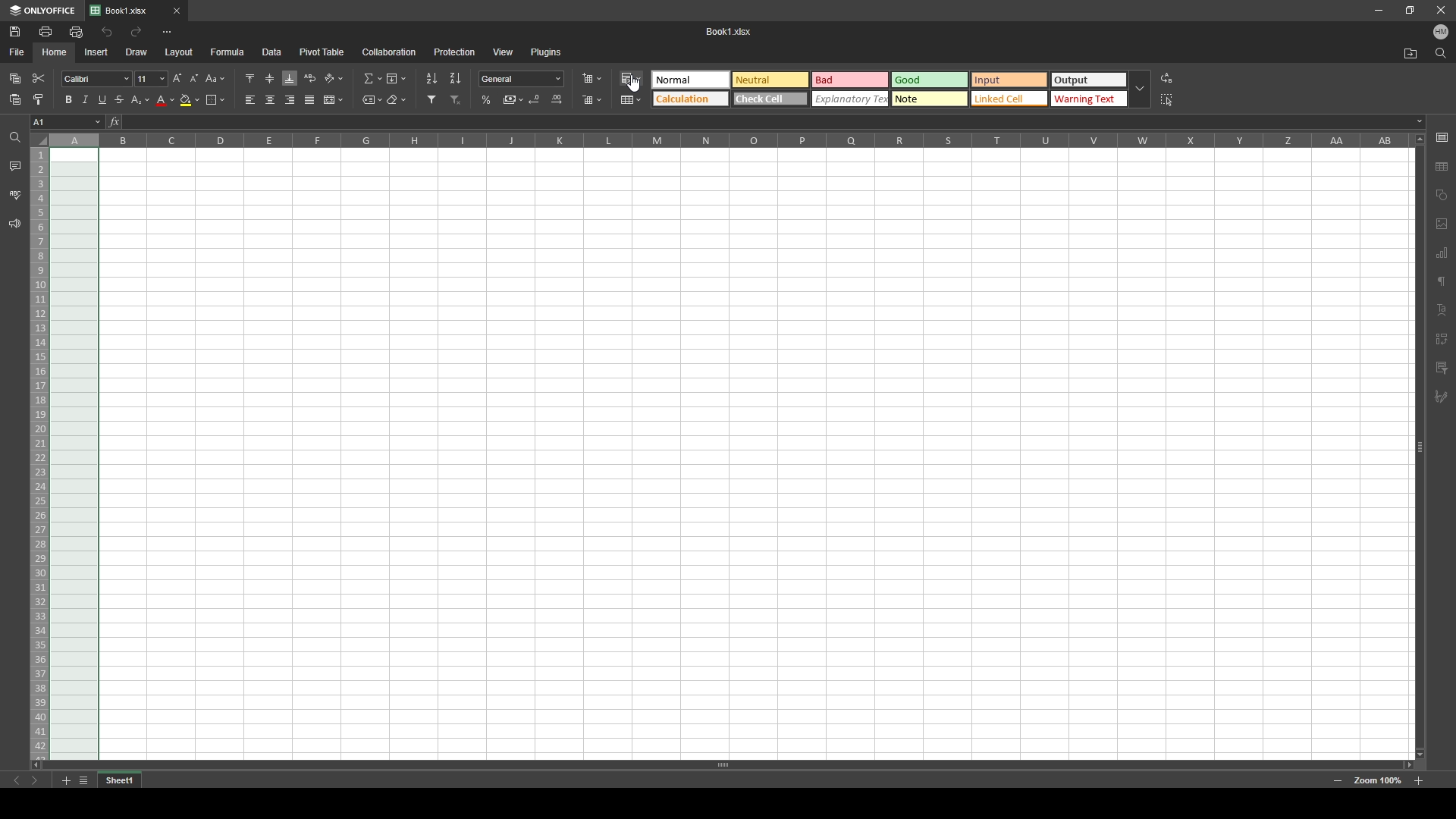 The height and width of the screenshot is (819, 1456). What do you see at coordinates (272, 51) in the screenshot?
I see `data` at bounding box center [272, 51].